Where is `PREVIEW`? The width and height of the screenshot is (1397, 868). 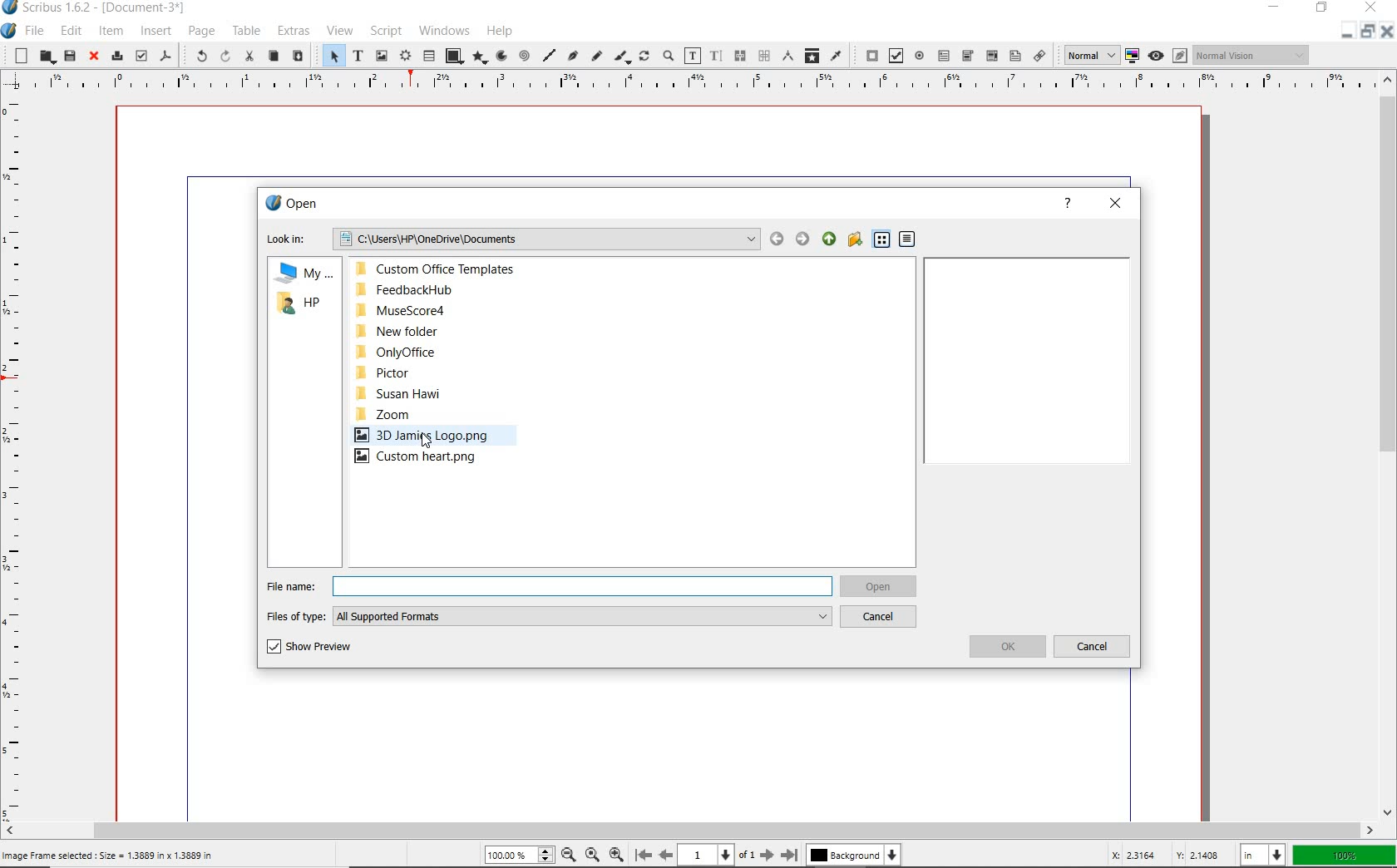
PREVIEW is located at coordinates (1025, 361).